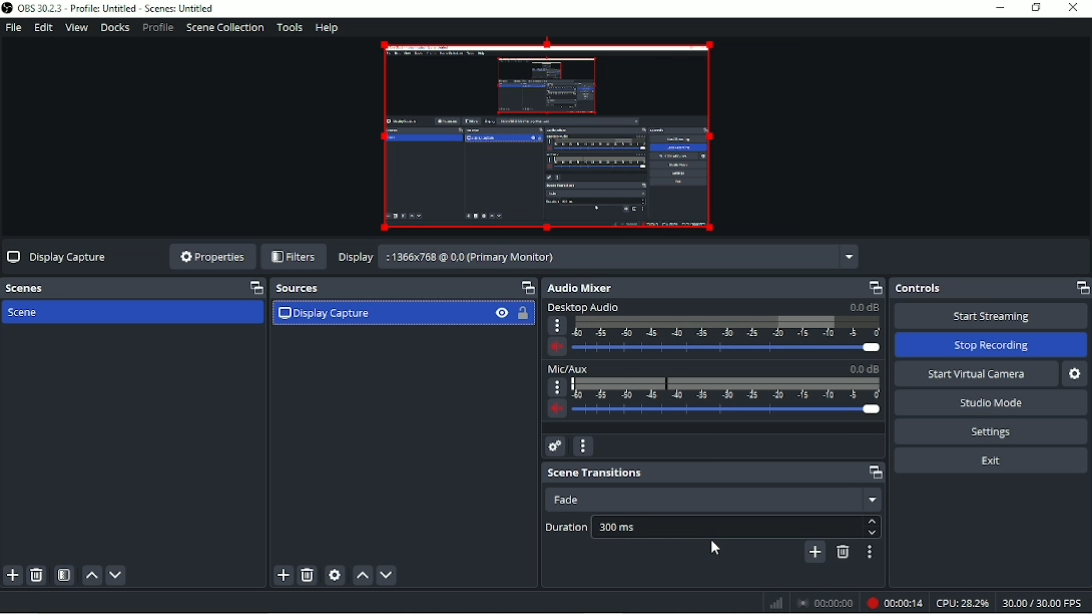  I want to click on Move source (s) up, so click(360, 576).